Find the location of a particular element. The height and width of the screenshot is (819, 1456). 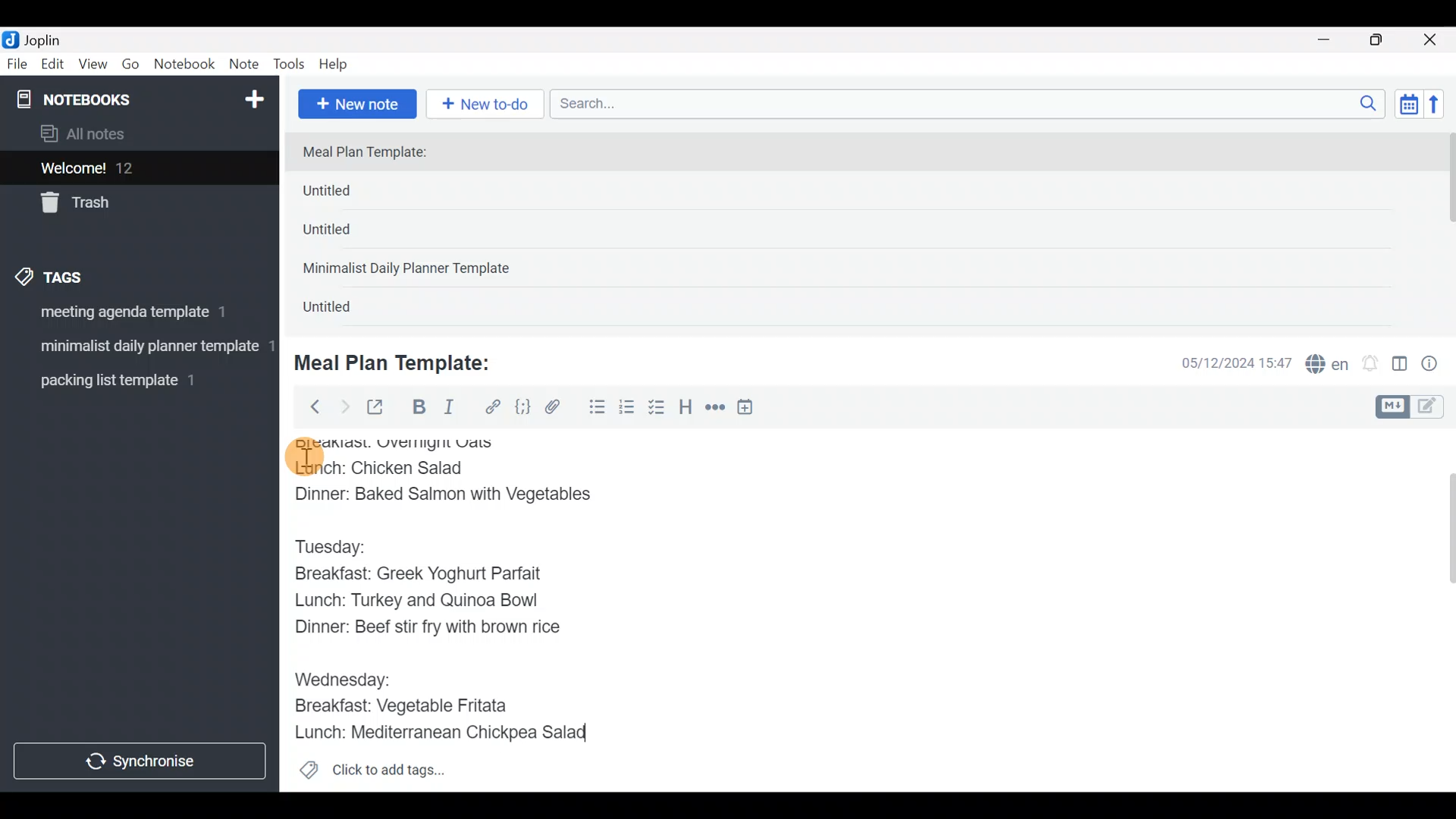

Bold is located at coordinates (418, 409).